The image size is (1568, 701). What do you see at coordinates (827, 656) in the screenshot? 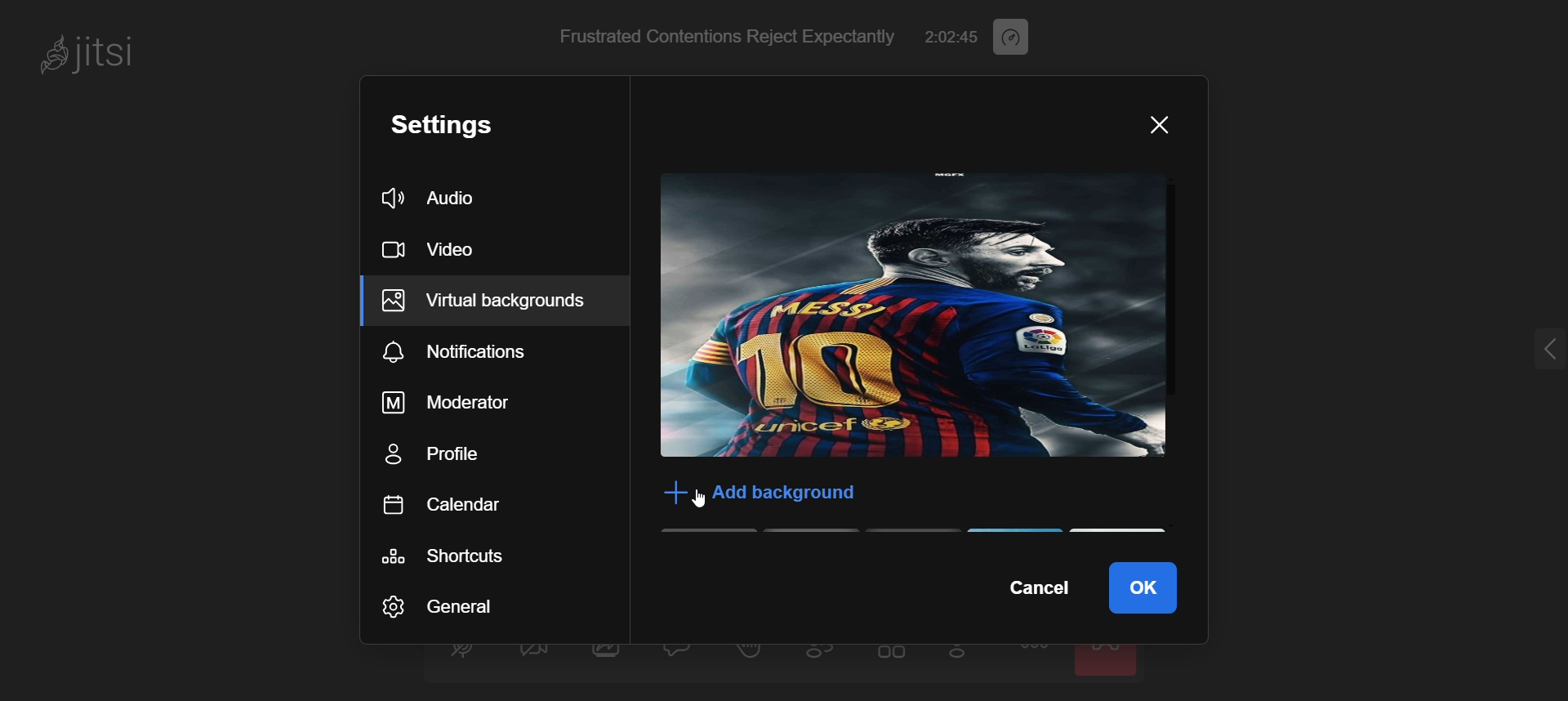
I see `participantd` at bounding box center [827, 656].